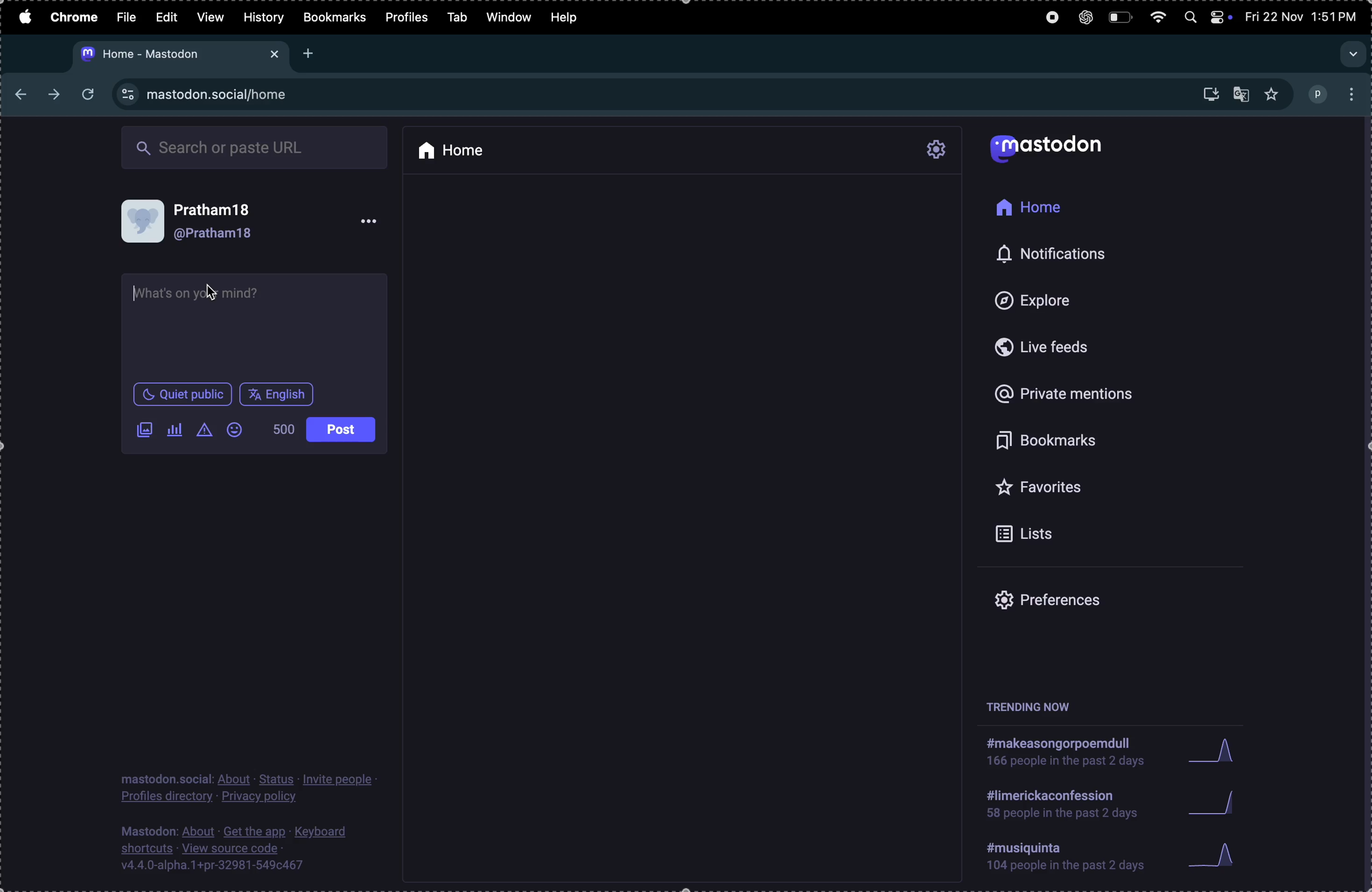 Image resolution: width=1372 pixels, height=892 pixels. What do you see at coordinates (1190, 17) in the screenshot?
I see `spotlight search` at bounding box center [1190, 17].